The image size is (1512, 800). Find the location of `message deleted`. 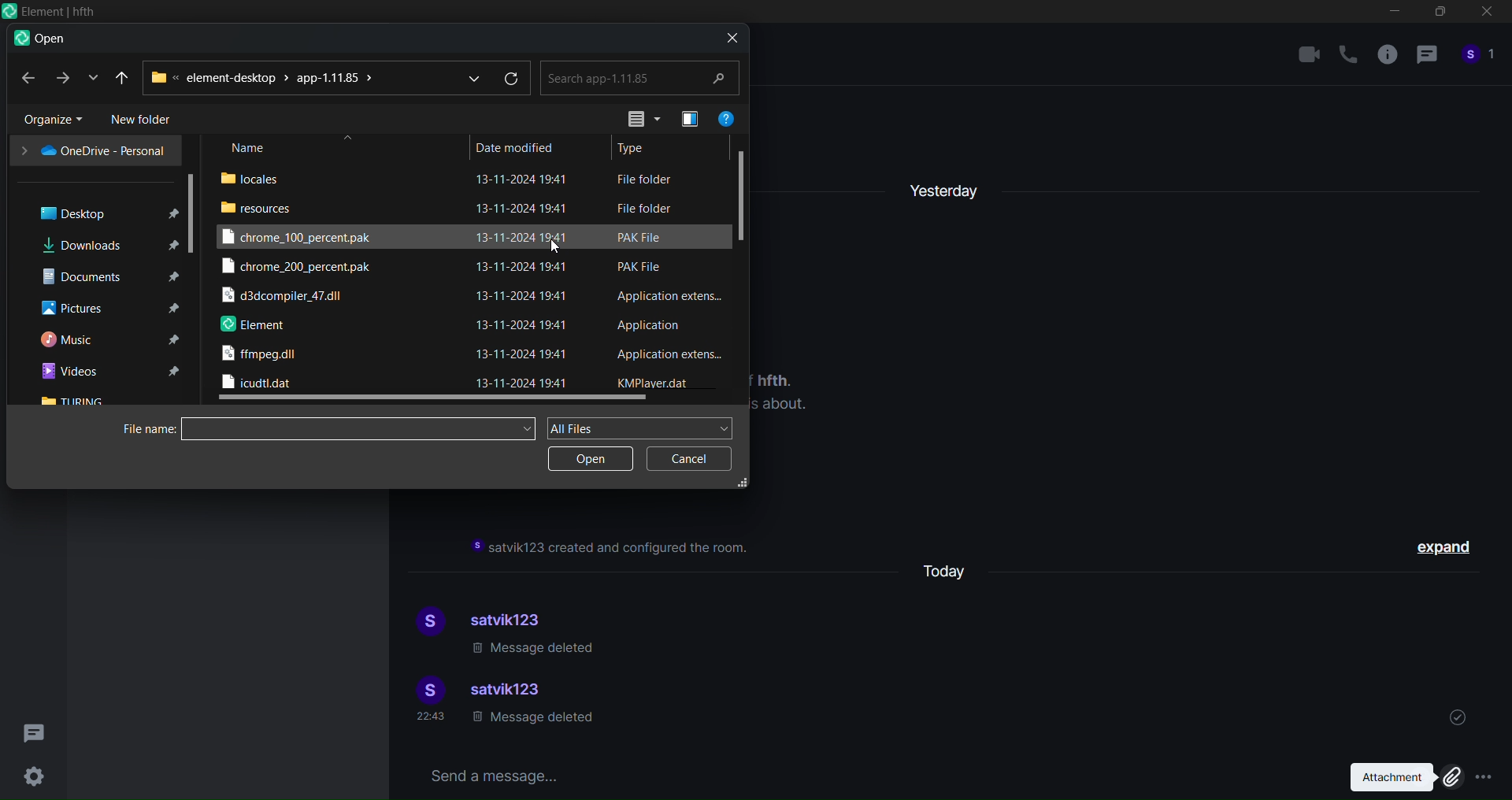

message deleted is located at coordinates (532, 721).